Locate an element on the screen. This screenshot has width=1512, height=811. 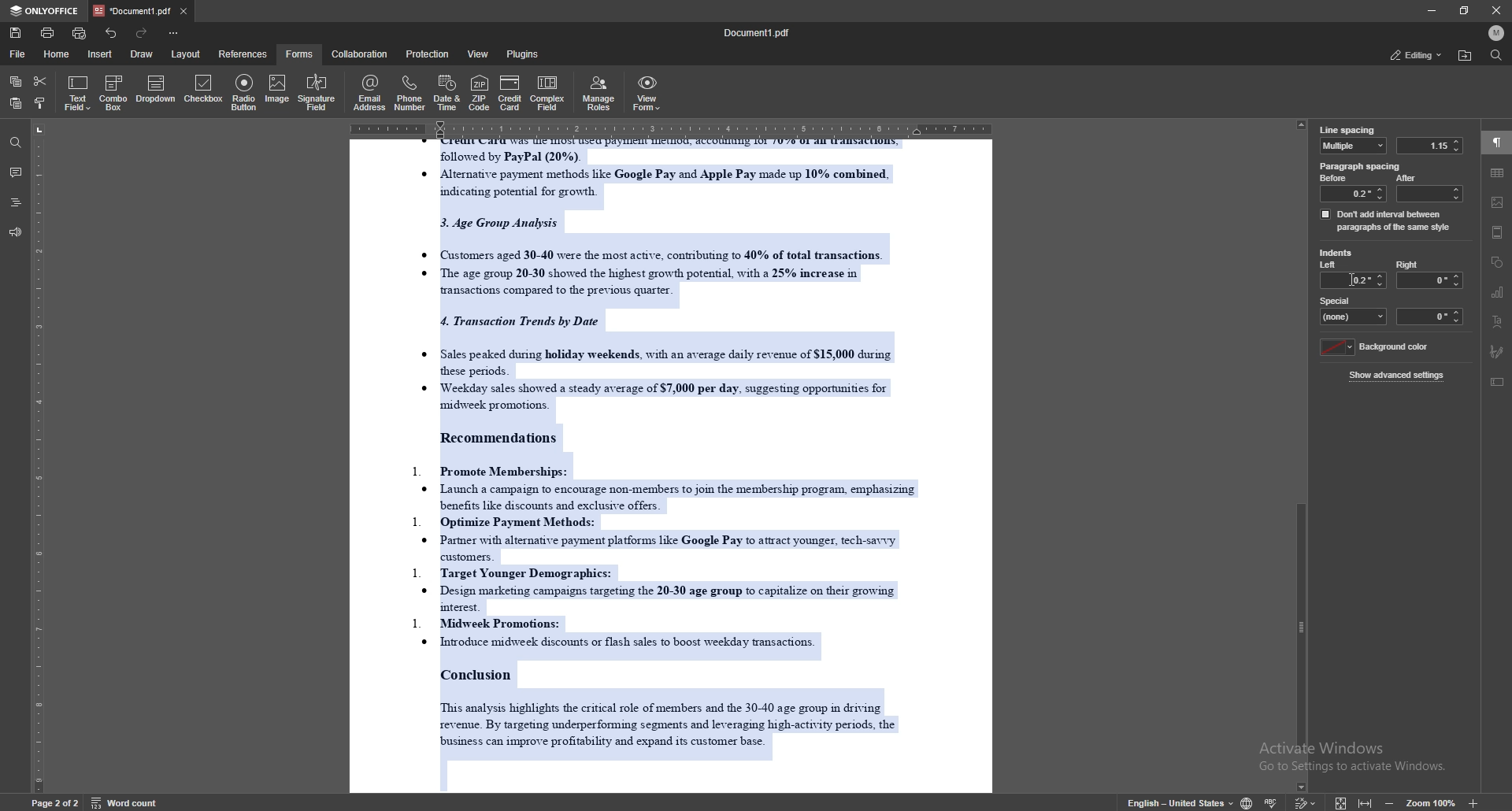
special is located at coordinates (1354, 309).